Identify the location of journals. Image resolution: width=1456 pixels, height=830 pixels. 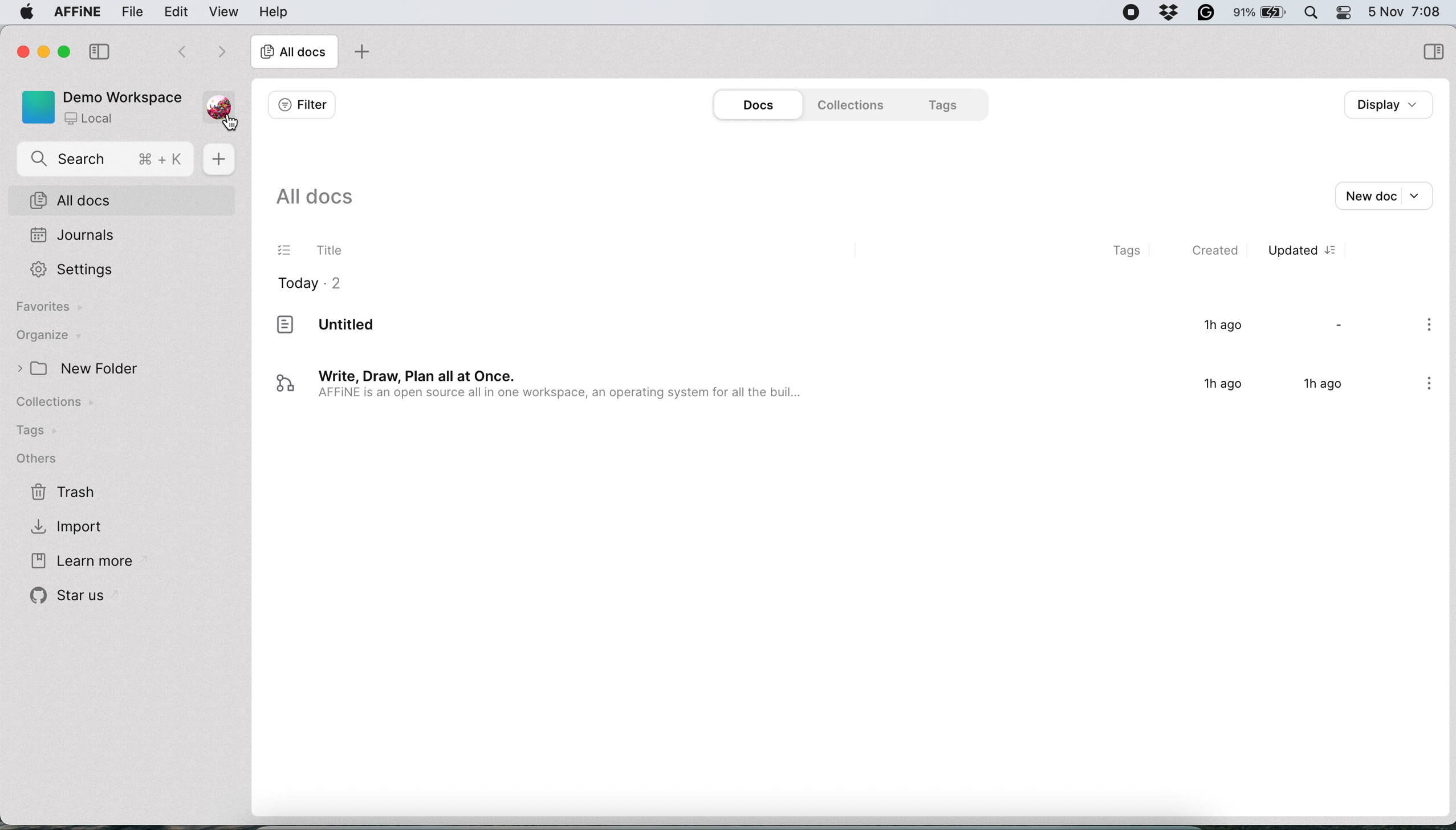
(74, 234).